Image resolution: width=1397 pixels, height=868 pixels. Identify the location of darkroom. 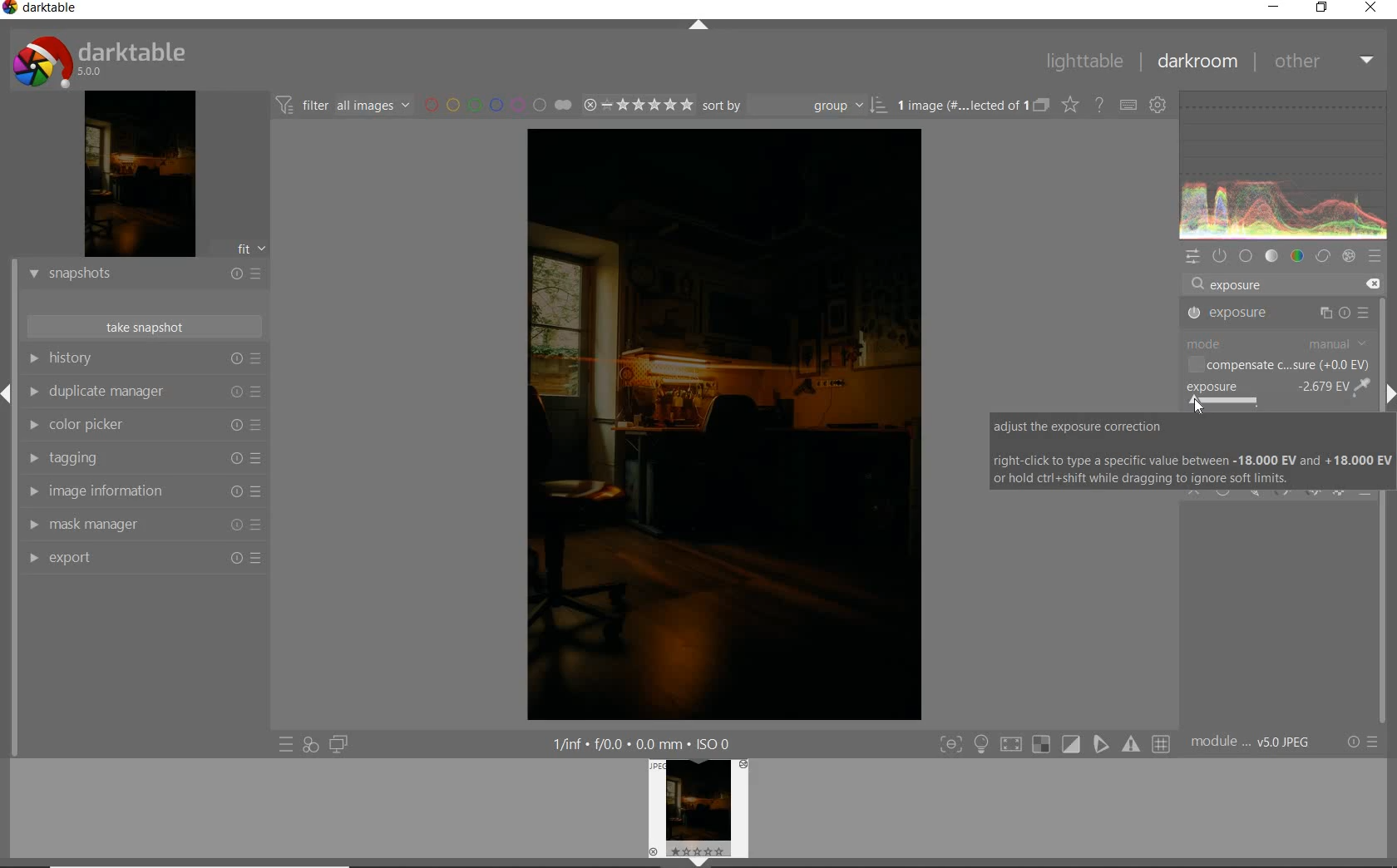
(1204, 62).